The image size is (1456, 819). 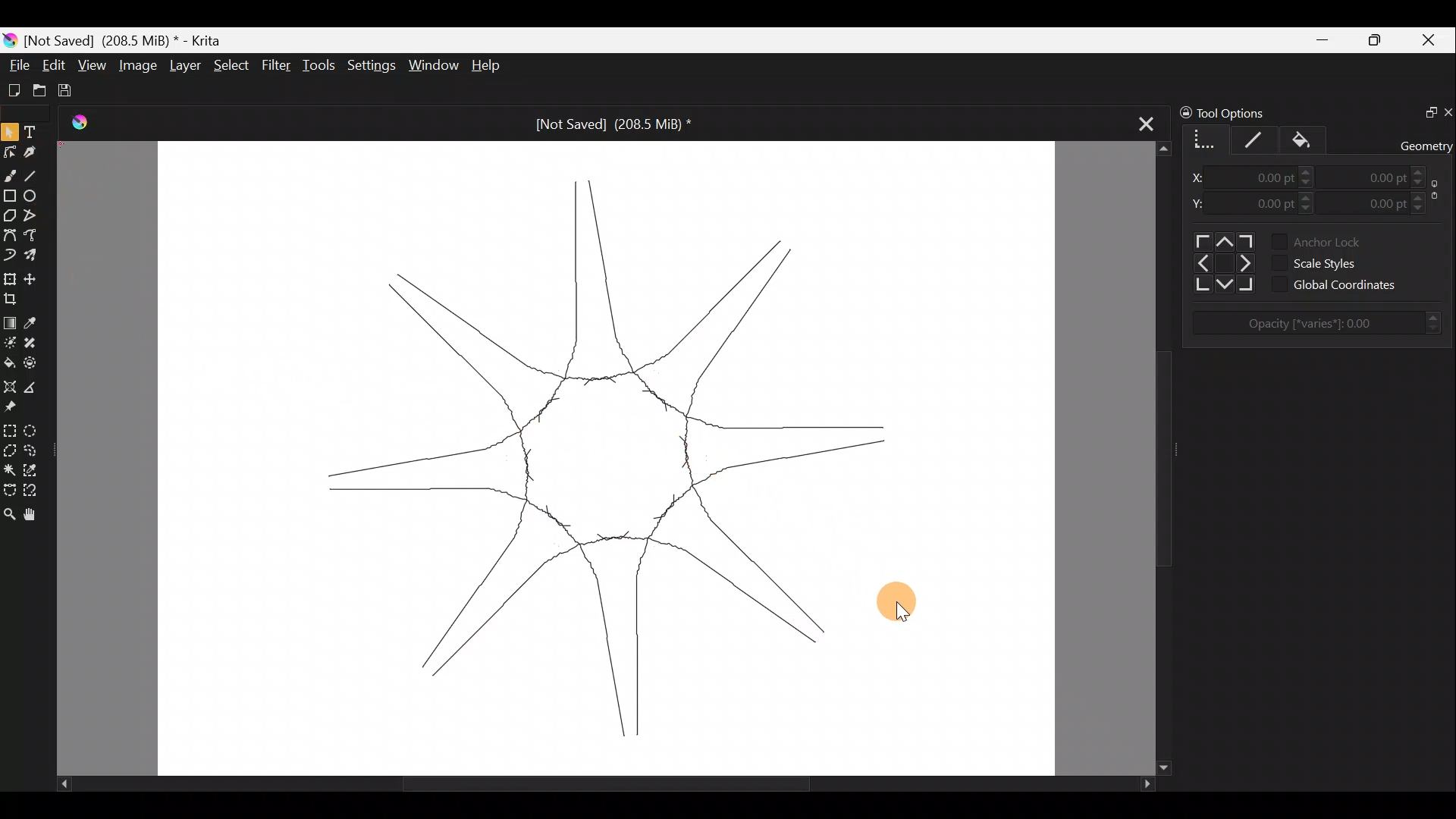 I want to click on Maximize, so click(x=1377, y=39).